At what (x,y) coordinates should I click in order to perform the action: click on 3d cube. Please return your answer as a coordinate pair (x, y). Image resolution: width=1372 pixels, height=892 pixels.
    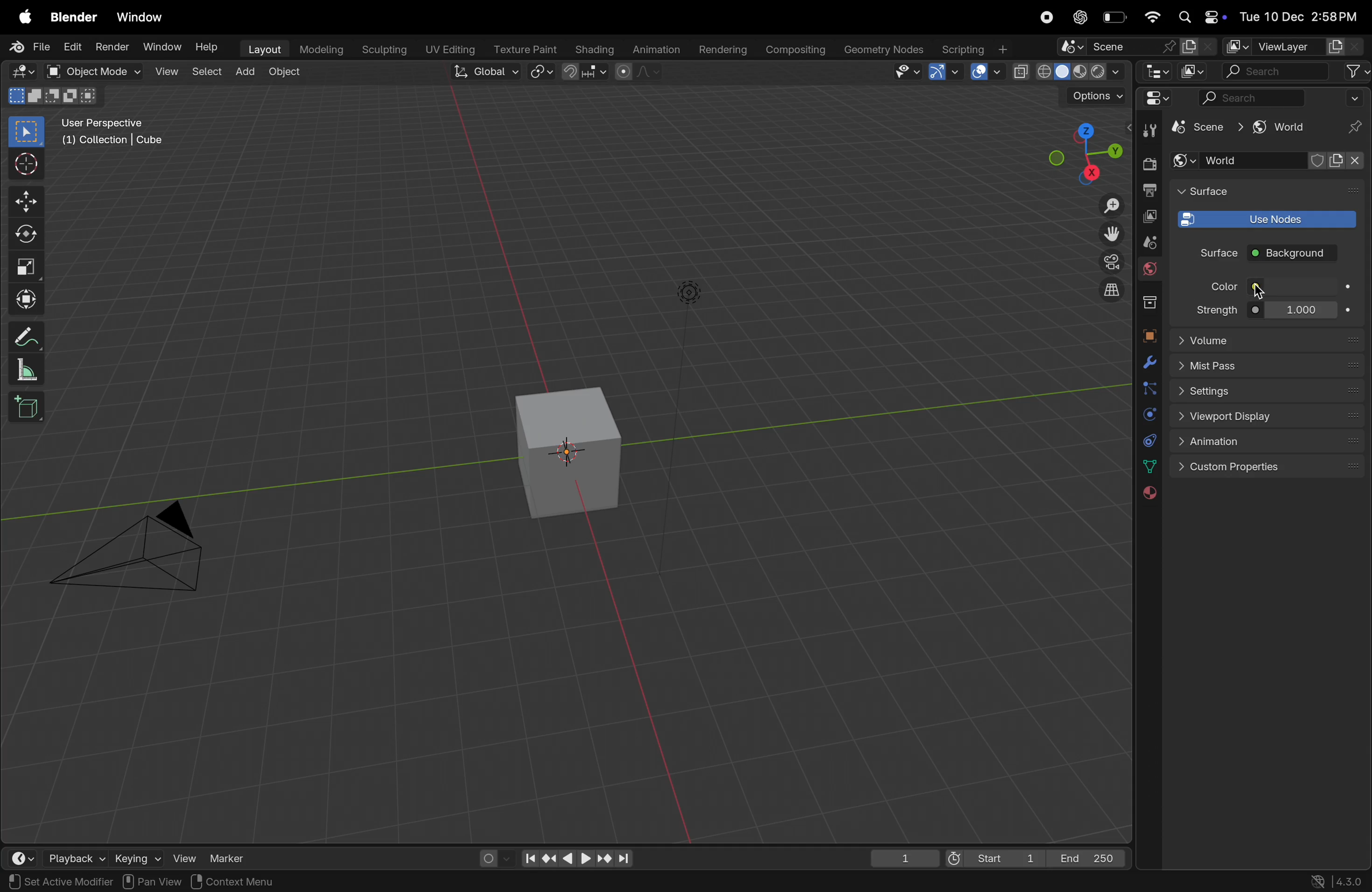
    Looking at the image, I should click on (571, 452).